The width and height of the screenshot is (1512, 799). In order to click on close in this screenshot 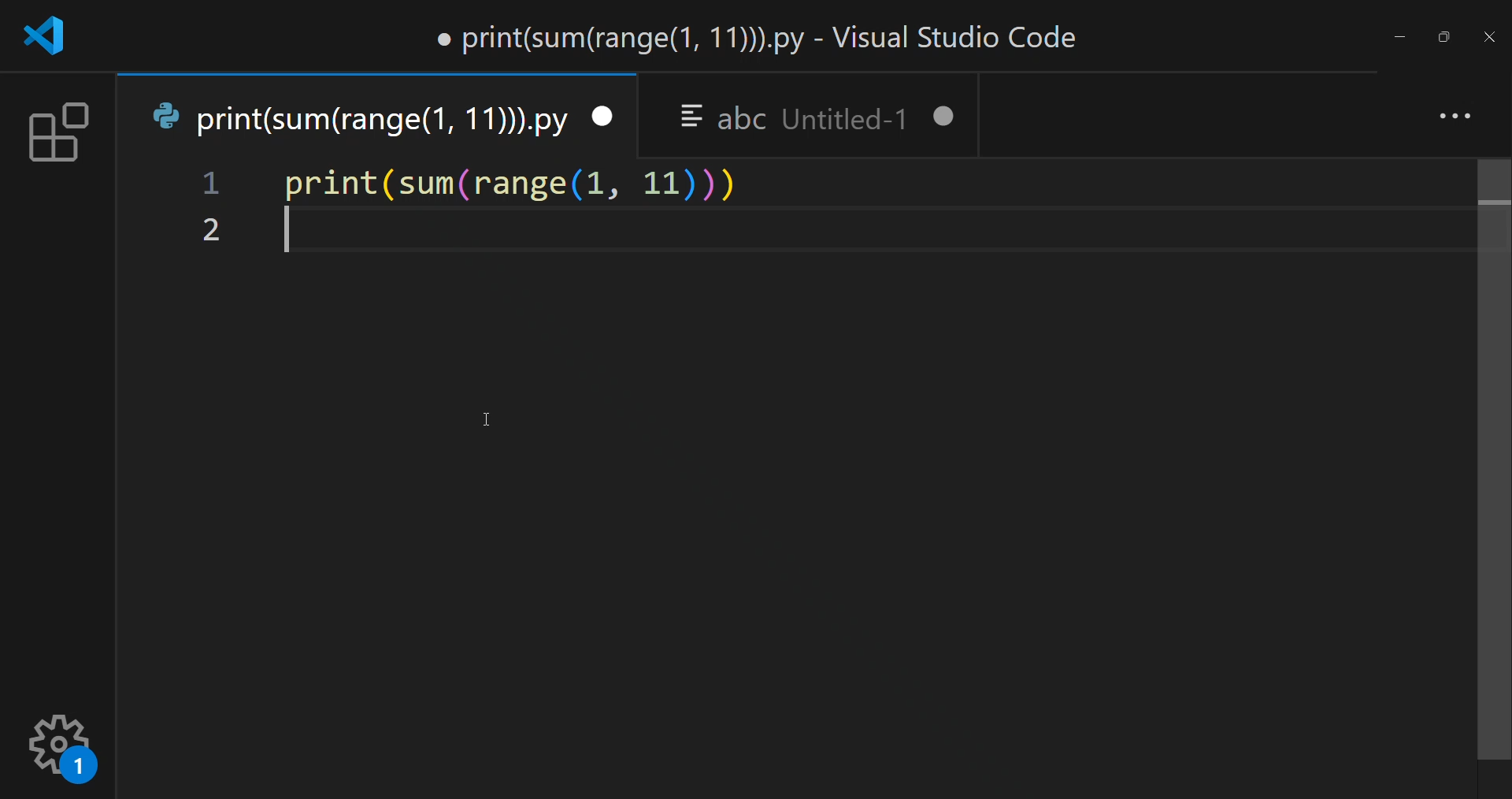, I will do `click(1488, 40)`.